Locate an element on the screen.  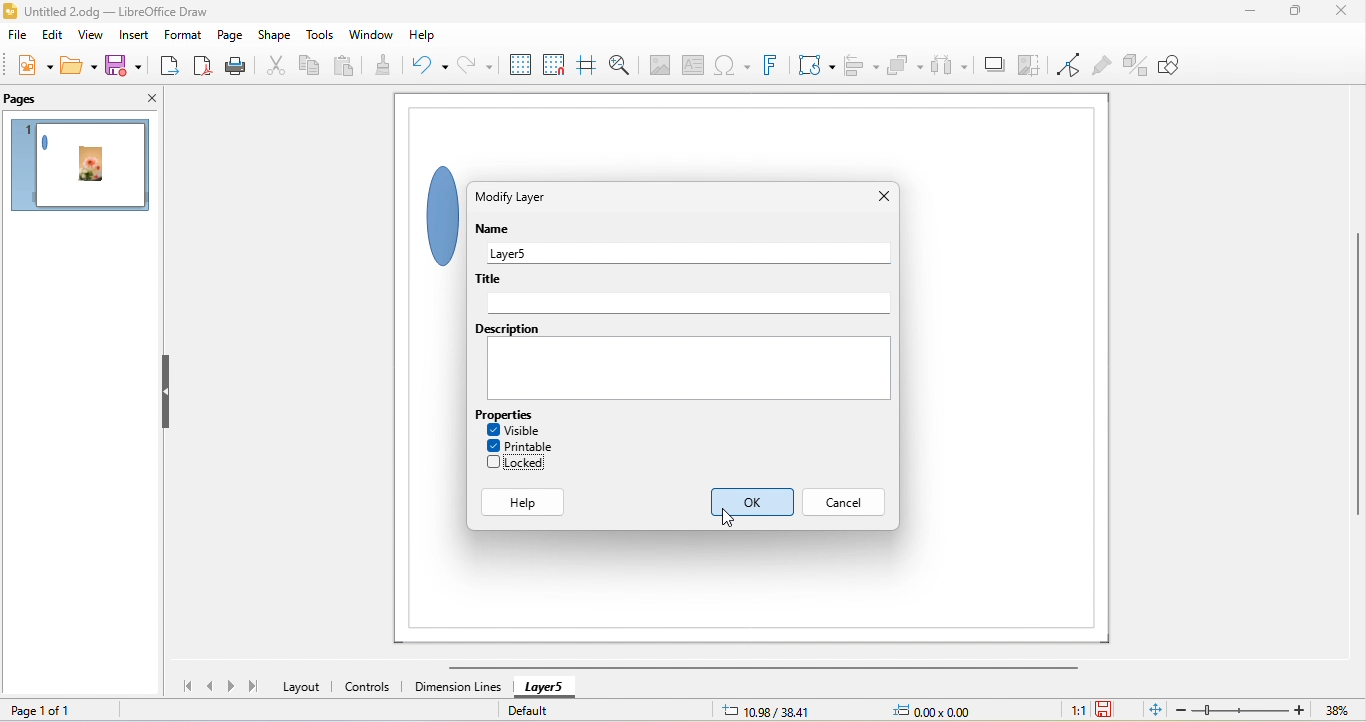
controls is located at coordinates (370, 688).